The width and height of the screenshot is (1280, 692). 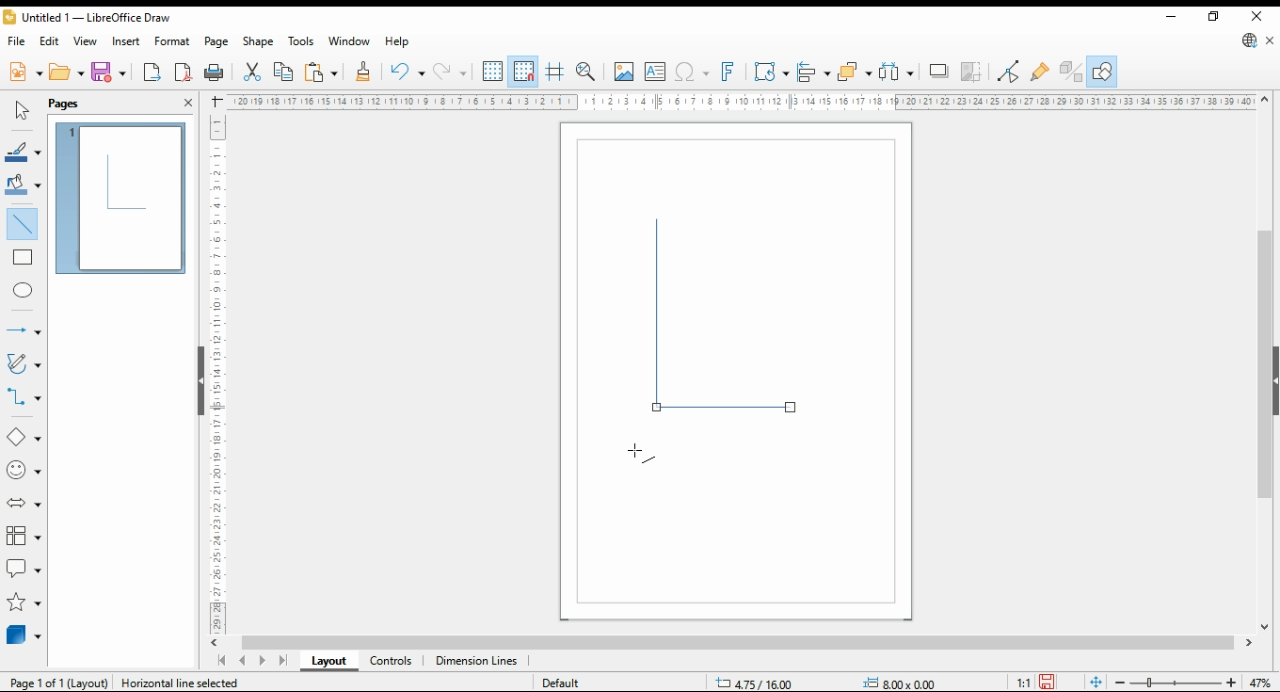 I want to click on curves and polygons, so click(x=25, y=363).